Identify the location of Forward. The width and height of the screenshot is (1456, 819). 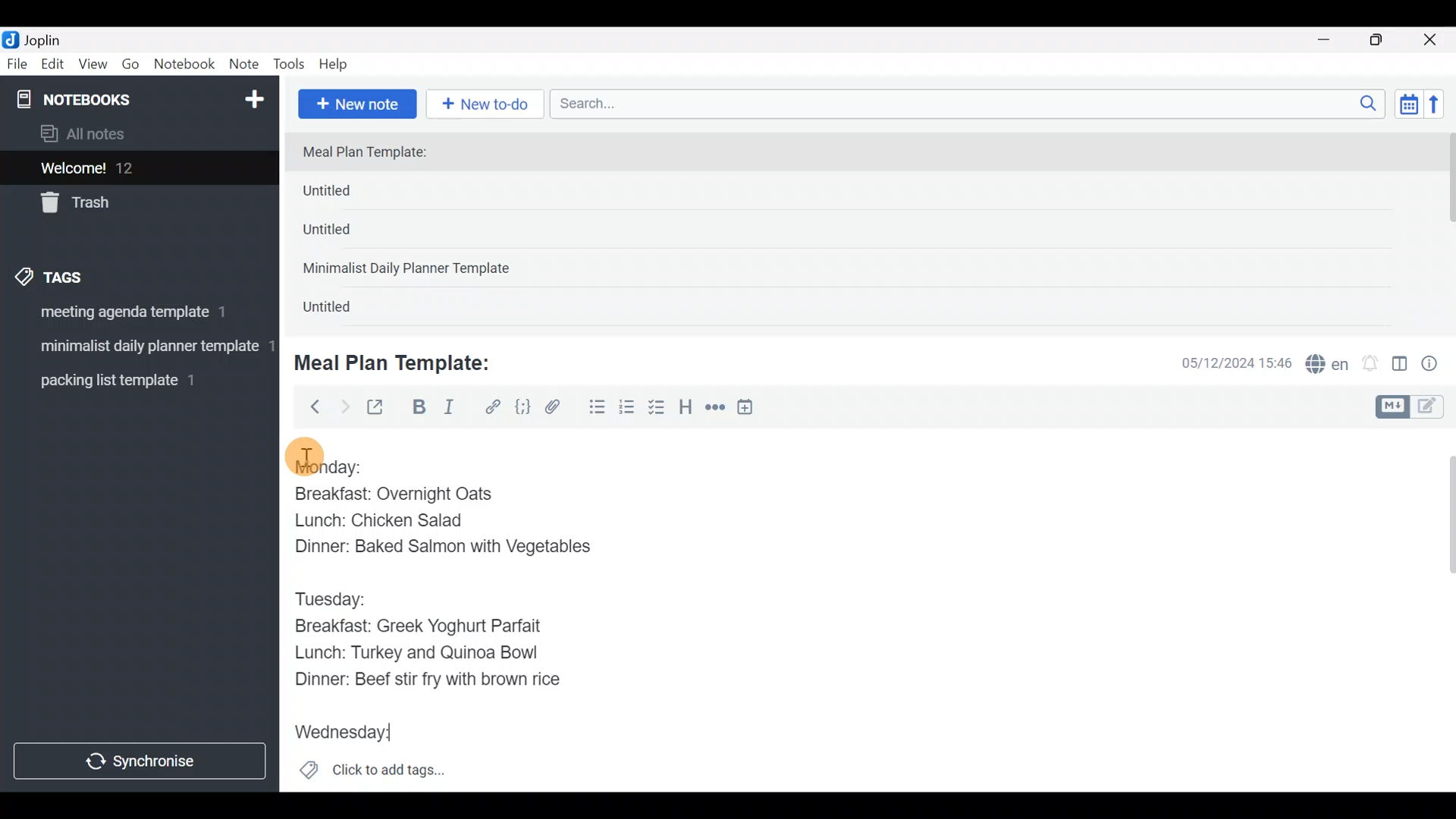
(344, 406).